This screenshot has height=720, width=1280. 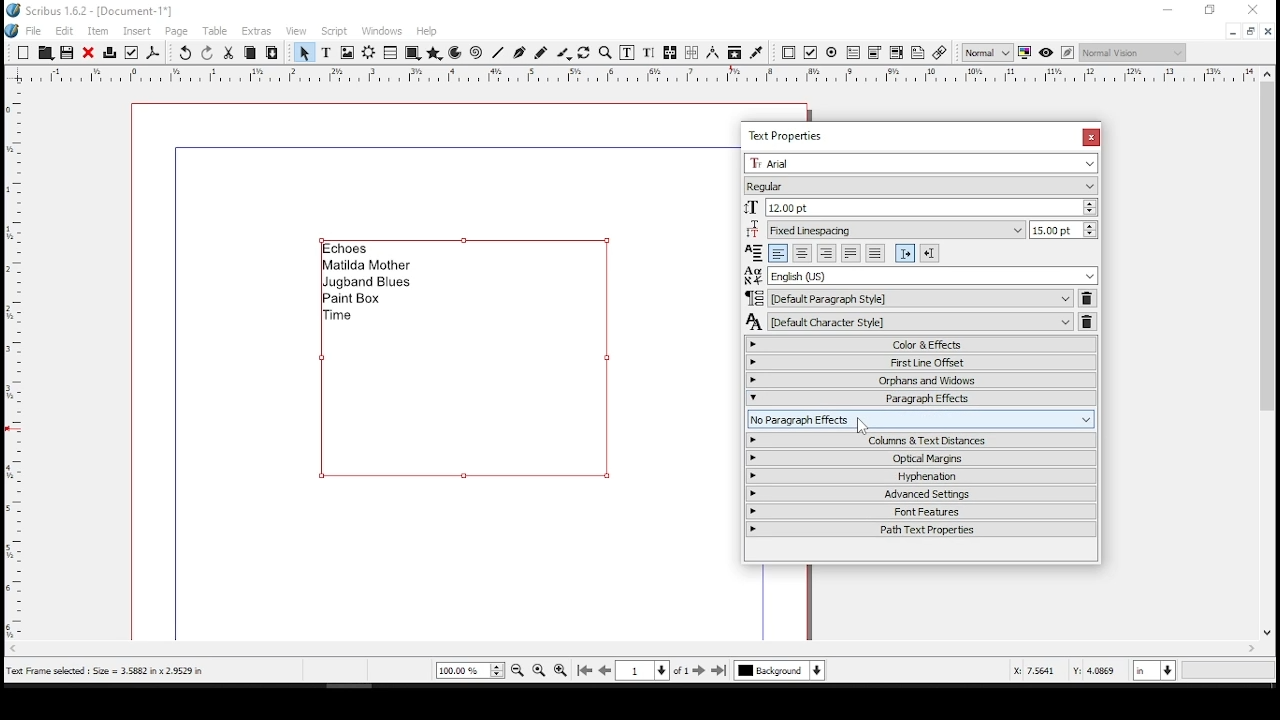 What do you see at coordinates (874, 253) in the screenshot?
I see `align text forced justified` at bounding box center [874, 253].